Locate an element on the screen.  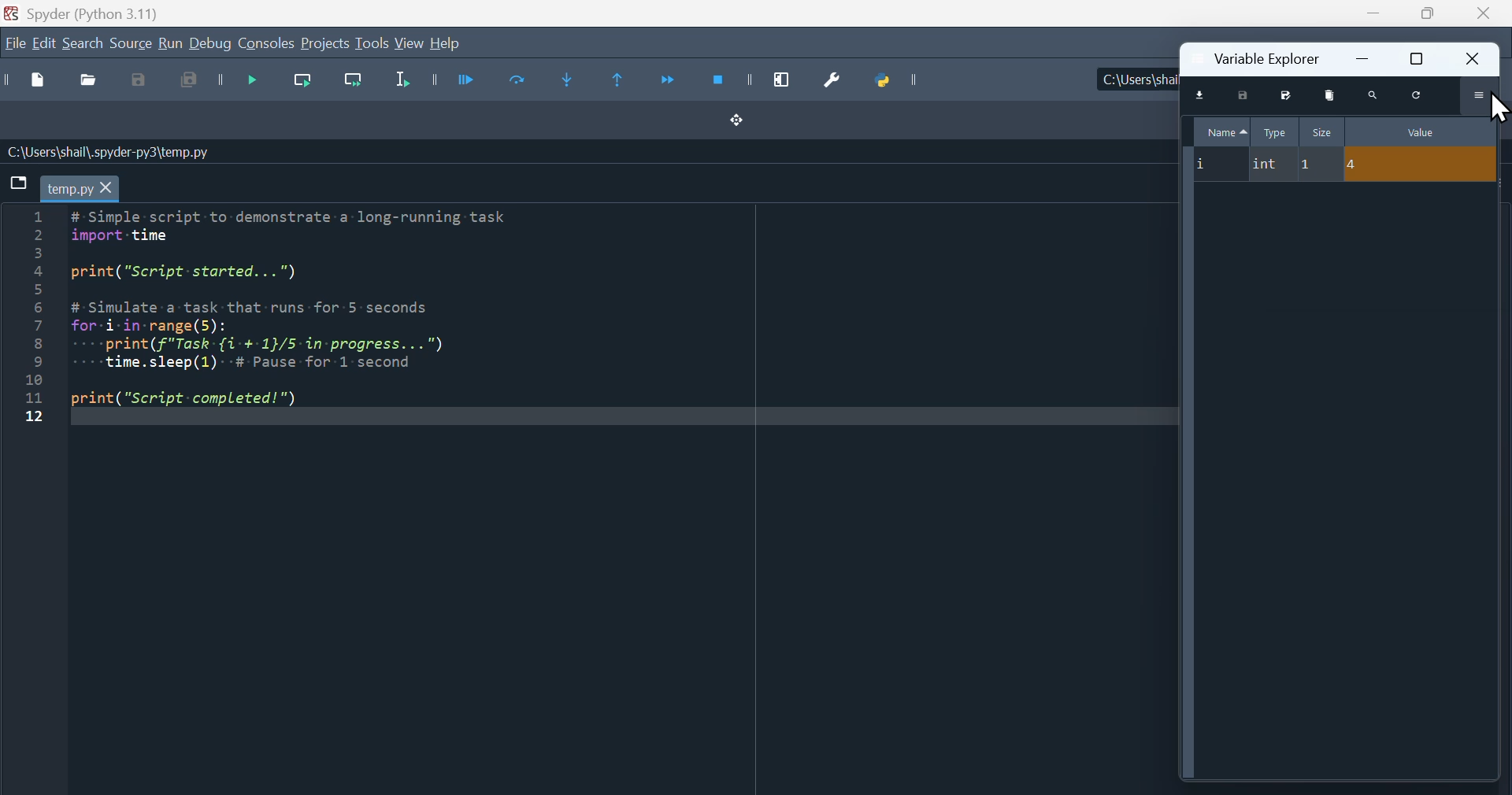
Search is located at coordinates (83, 45).